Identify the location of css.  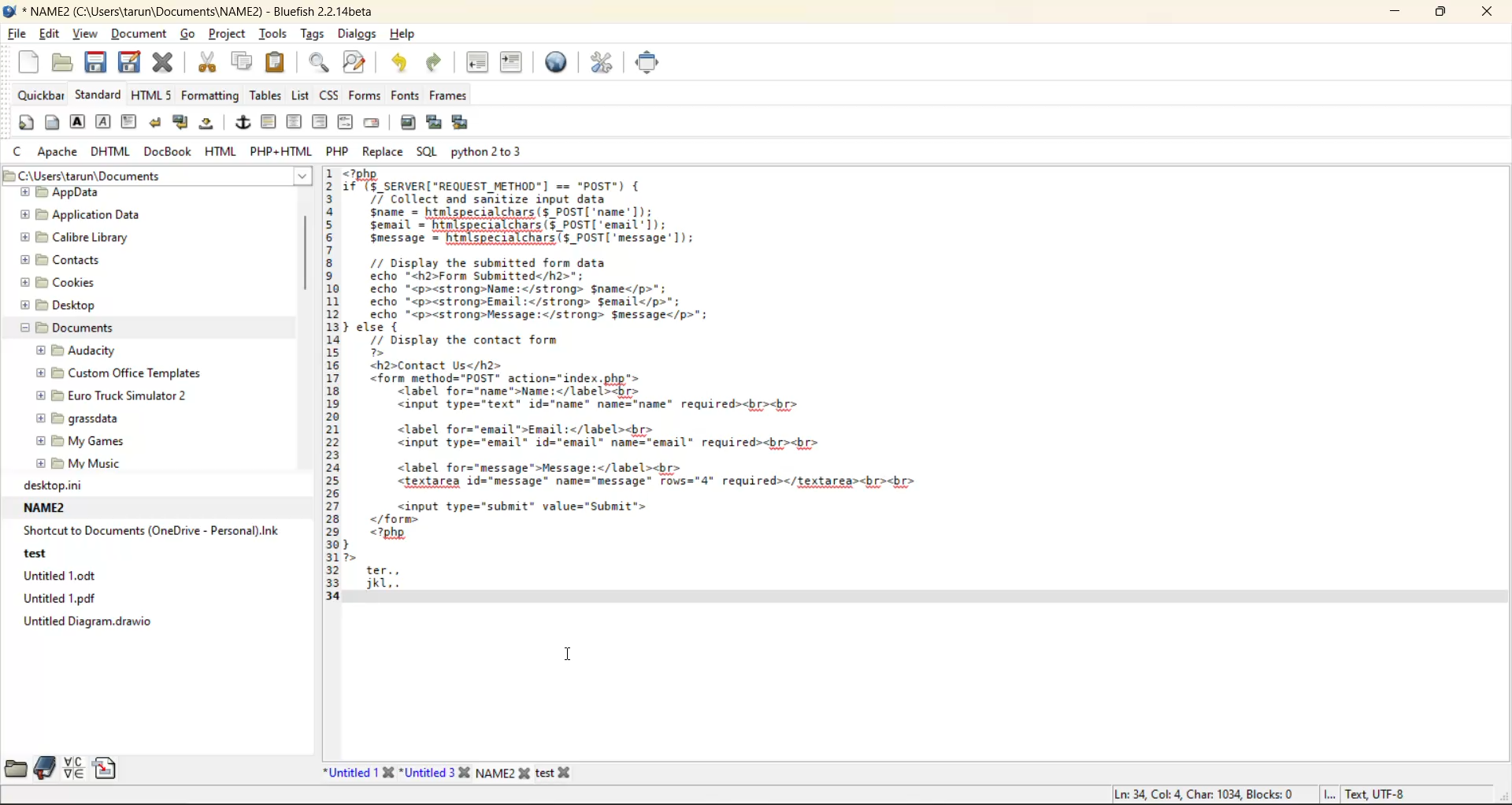
(330, 97).